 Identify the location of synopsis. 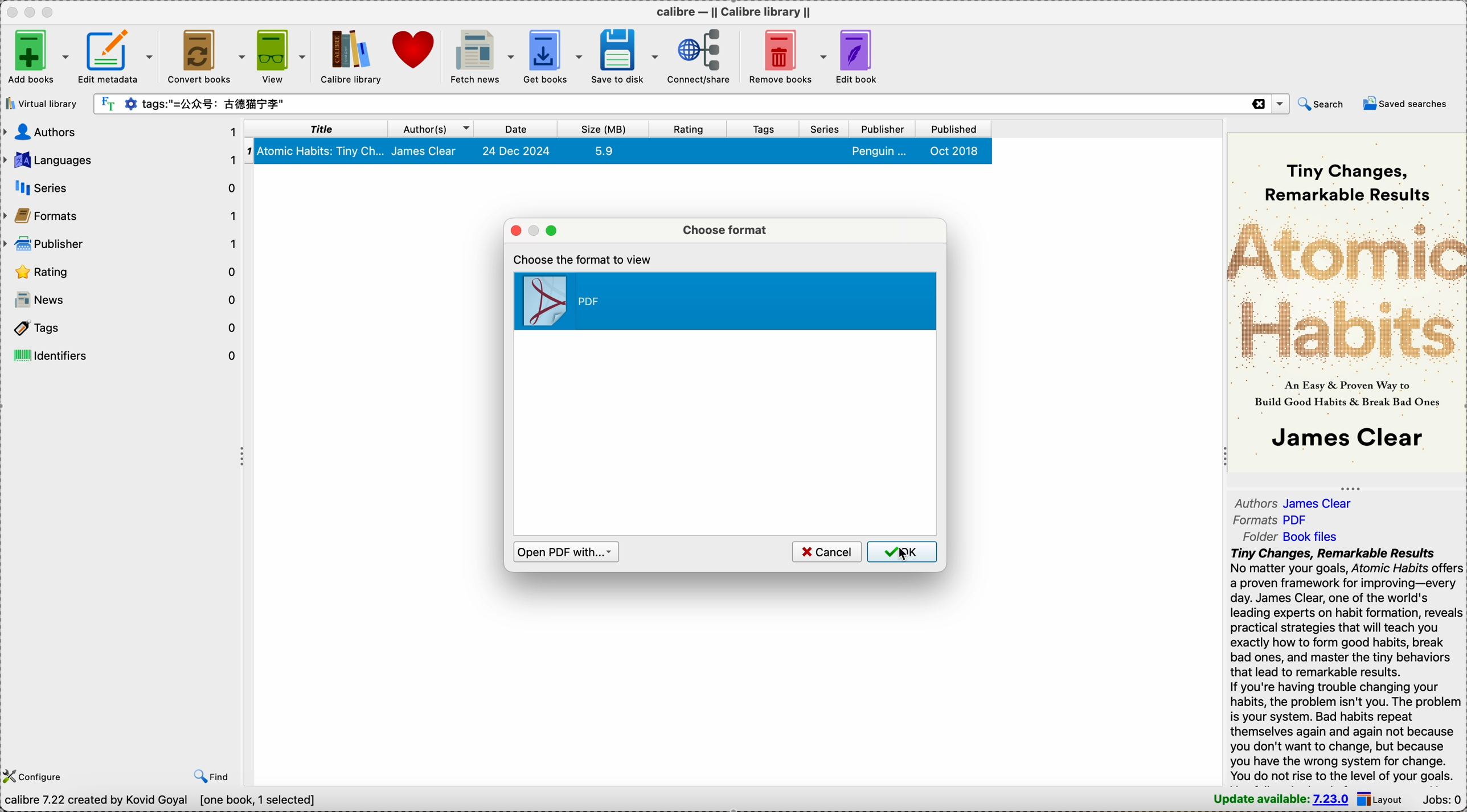
(1346, 665).